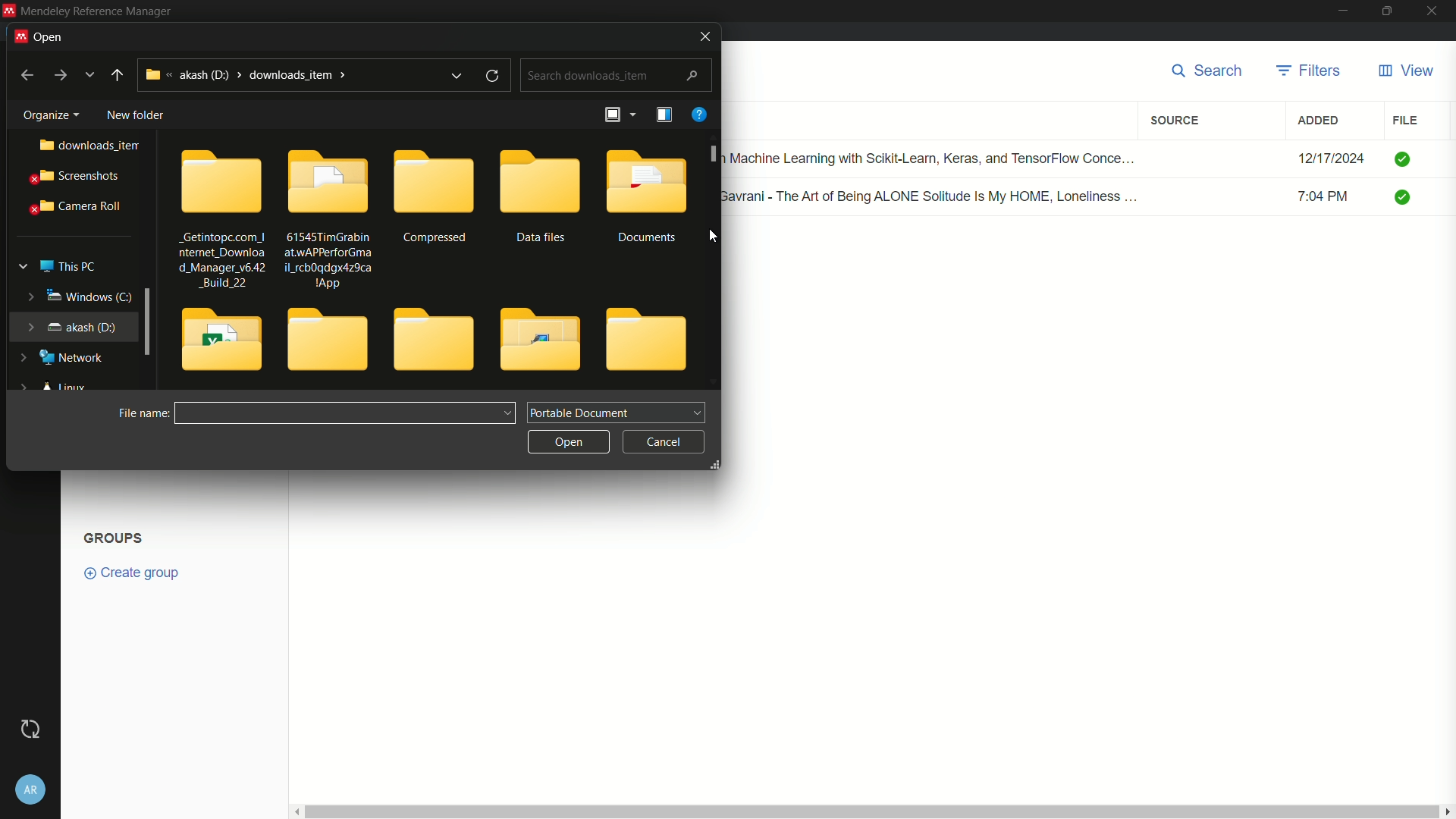  Describe the element at coordinates (713, 261) in the screenshot. I see `scroll bar` at that location.